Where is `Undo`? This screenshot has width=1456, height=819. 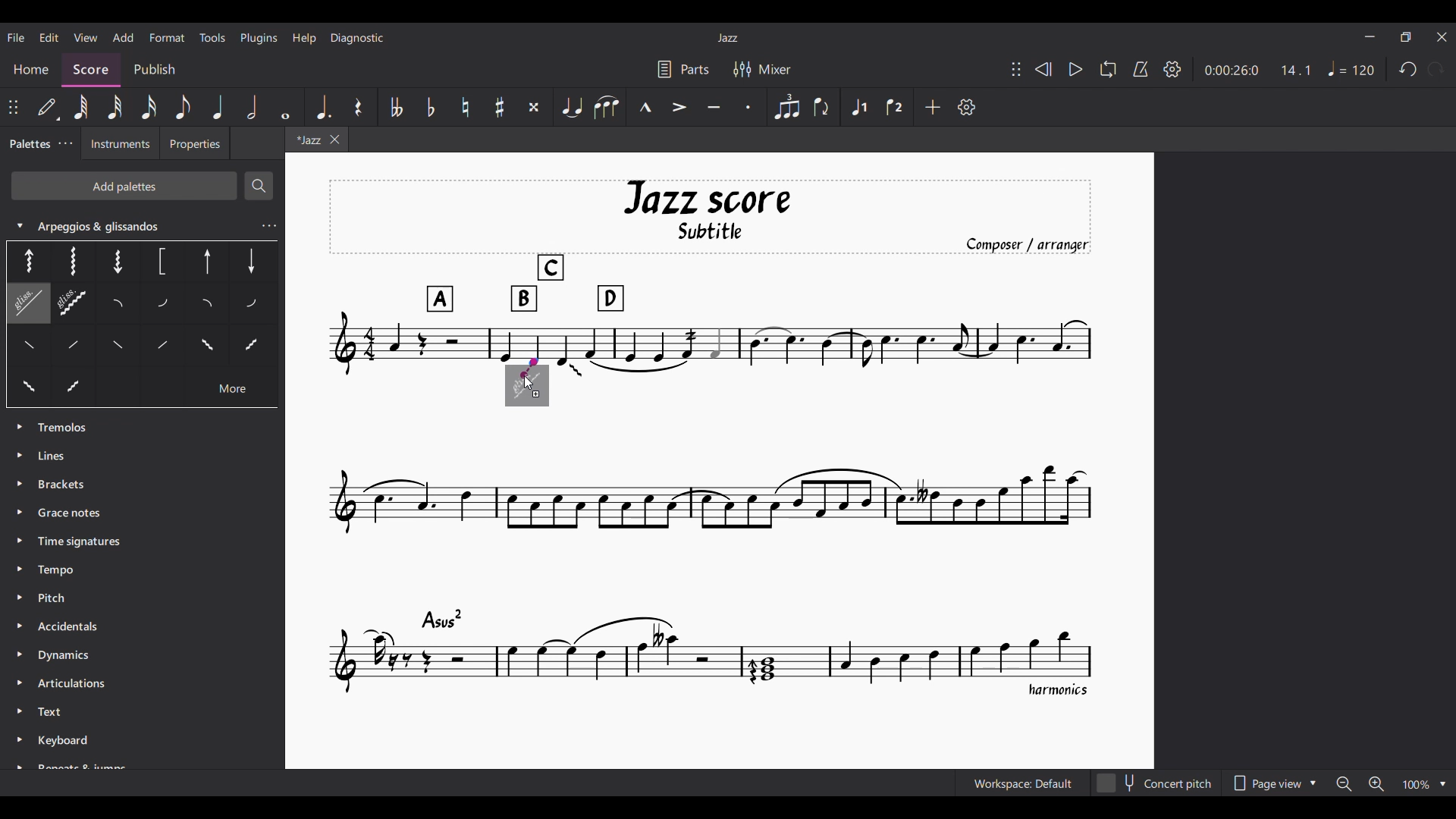 Undo is located at coordinates (1408, 69).